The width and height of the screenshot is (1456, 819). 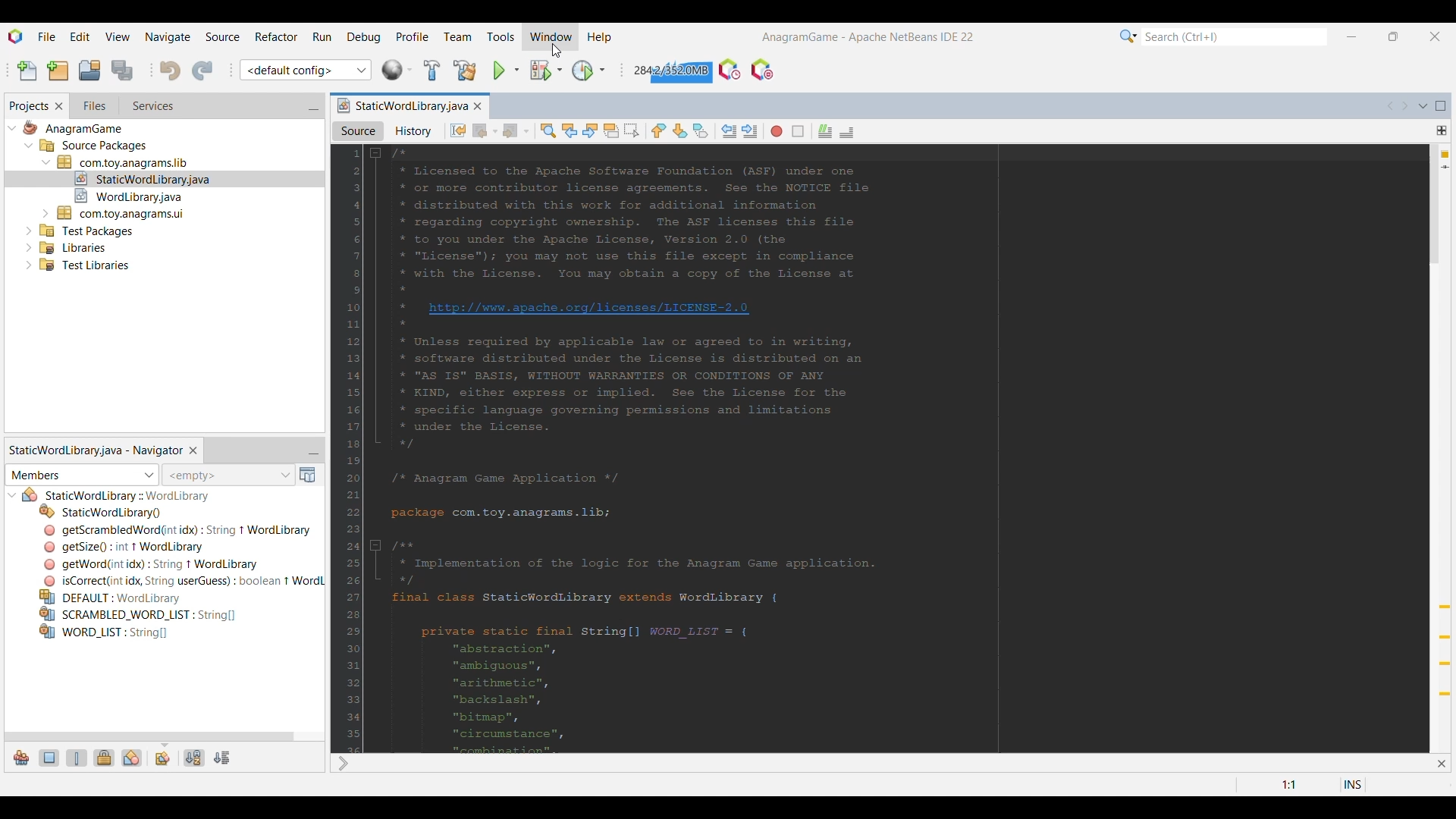 What do you see at coordinates (13, 495) in the screenshot?
I see `Click to collapse current file` at bounding box center [13, 495].